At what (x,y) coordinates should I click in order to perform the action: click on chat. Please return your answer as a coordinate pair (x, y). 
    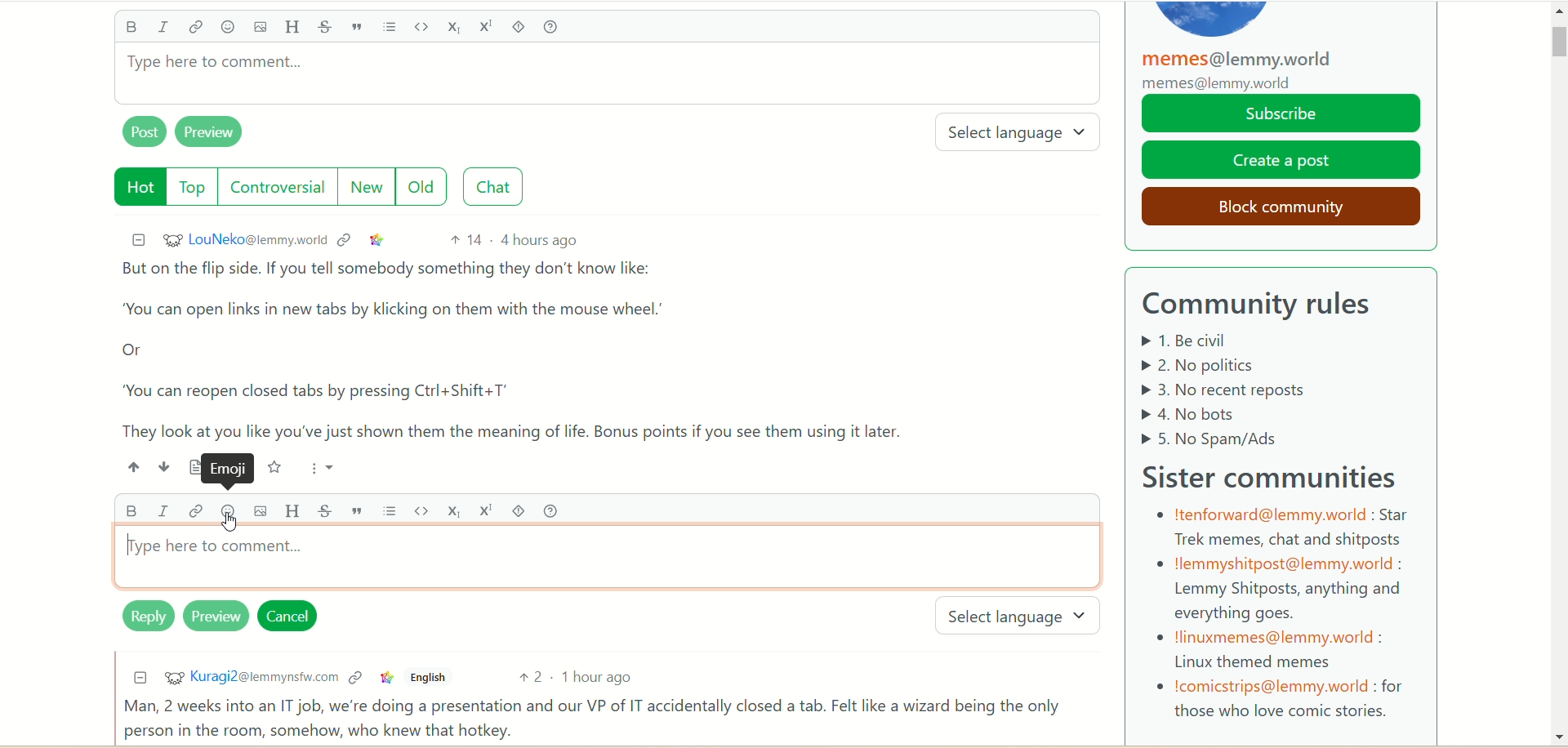
    Looking at the image, I should click on (499, 187).